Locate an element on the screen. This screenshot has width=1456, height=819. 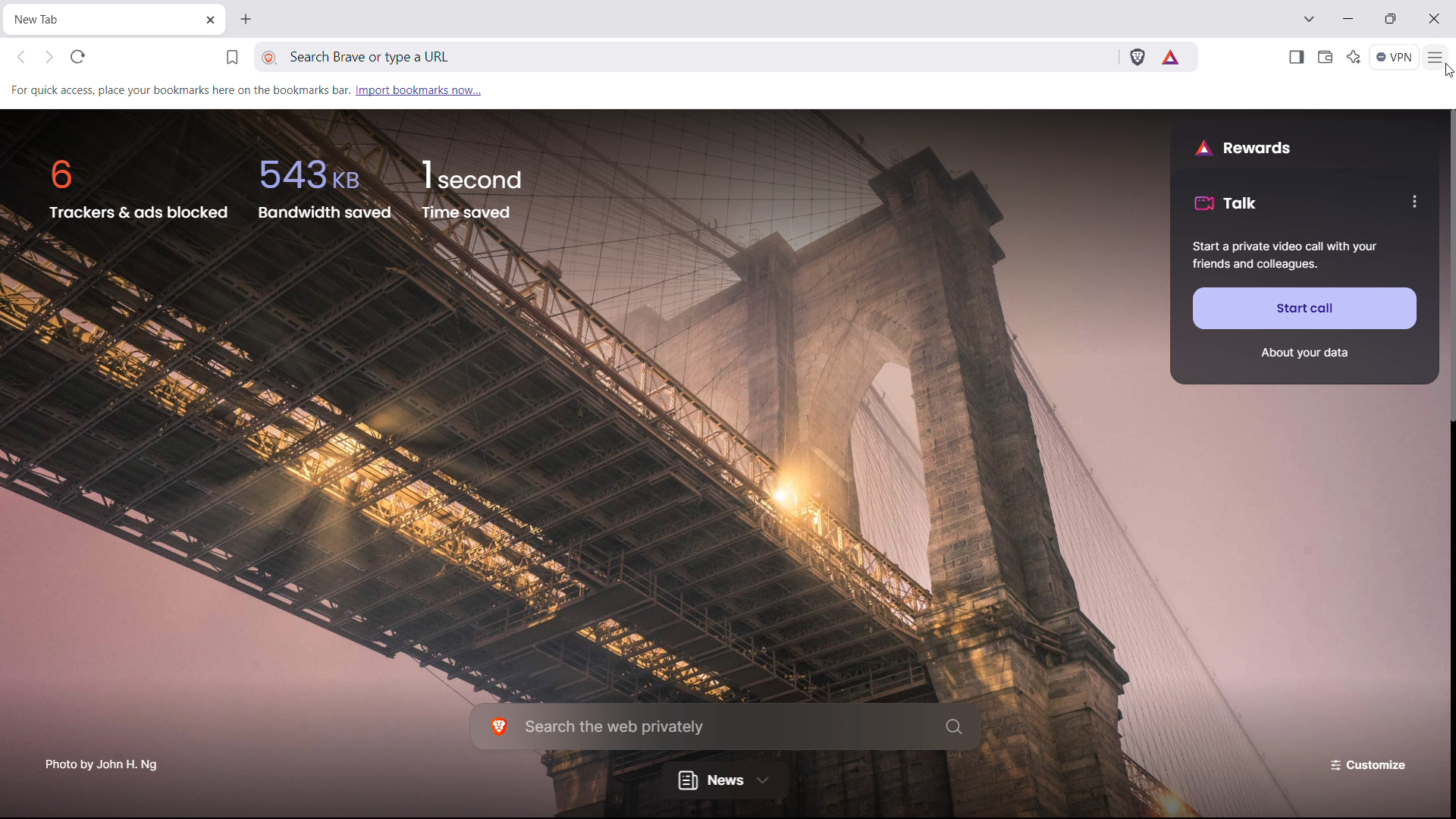
1 second is located at coordinates (476, 171).